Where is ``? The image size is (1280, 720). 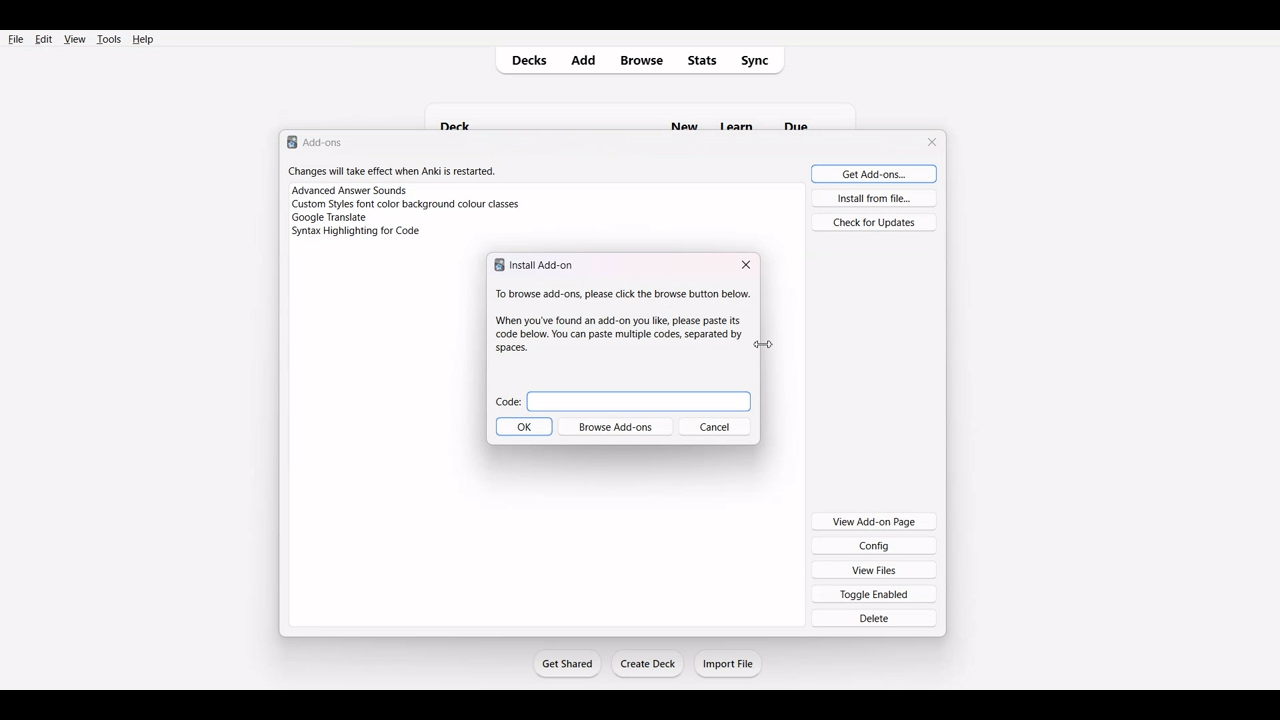  is located at coordinates (808, 115).